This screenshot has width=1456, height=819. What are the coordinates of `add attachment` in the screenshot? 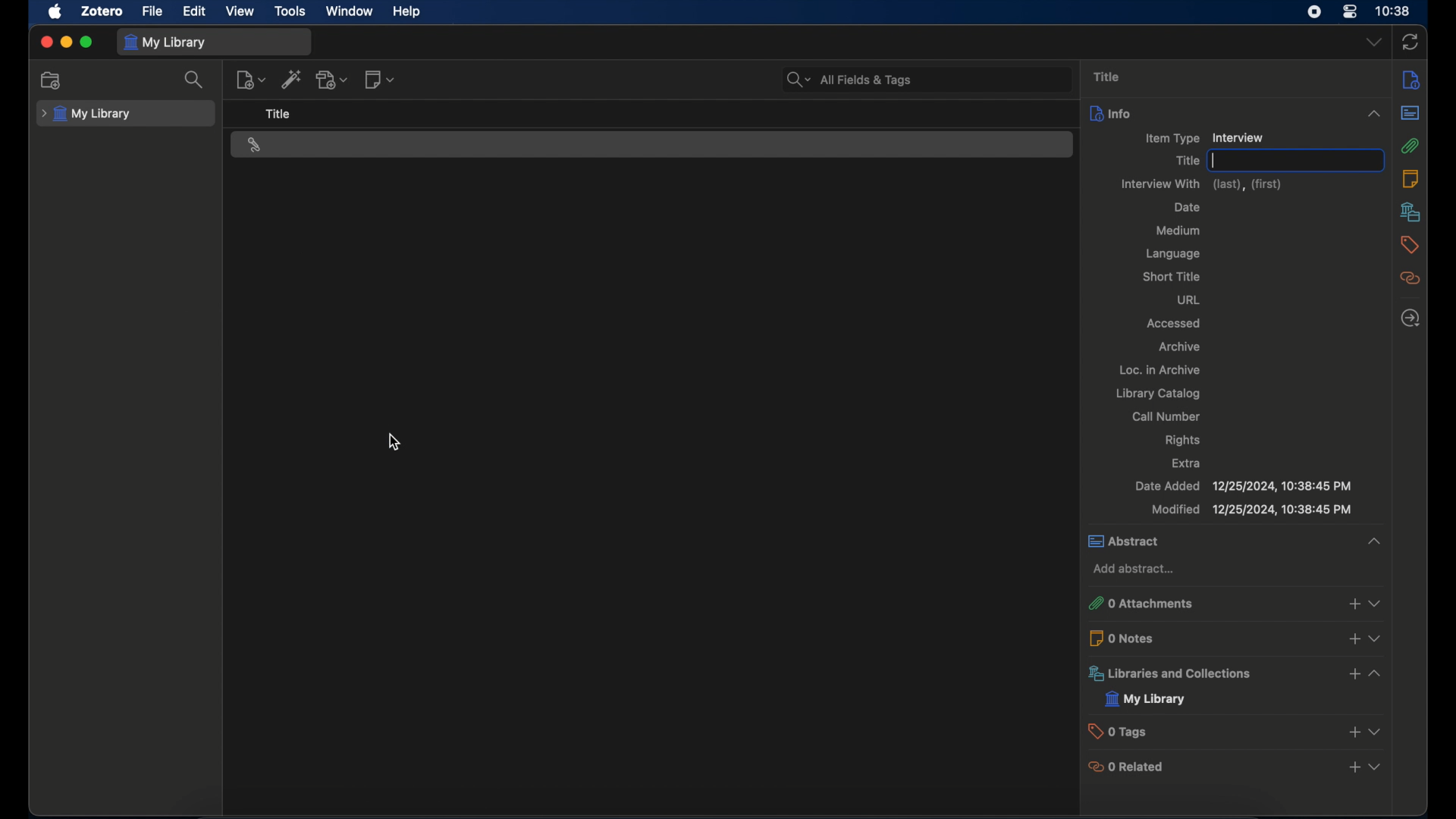 It's located at (333, 80).